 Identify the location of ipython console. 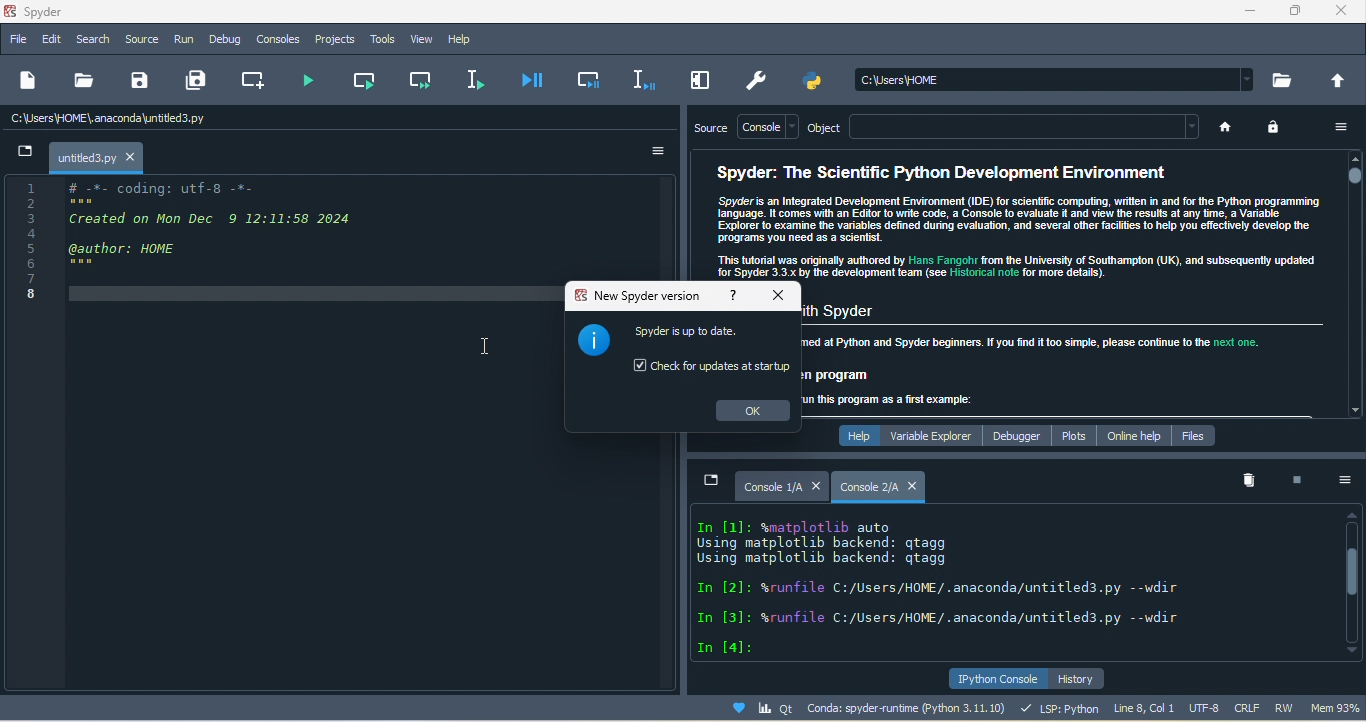
(996, 678).